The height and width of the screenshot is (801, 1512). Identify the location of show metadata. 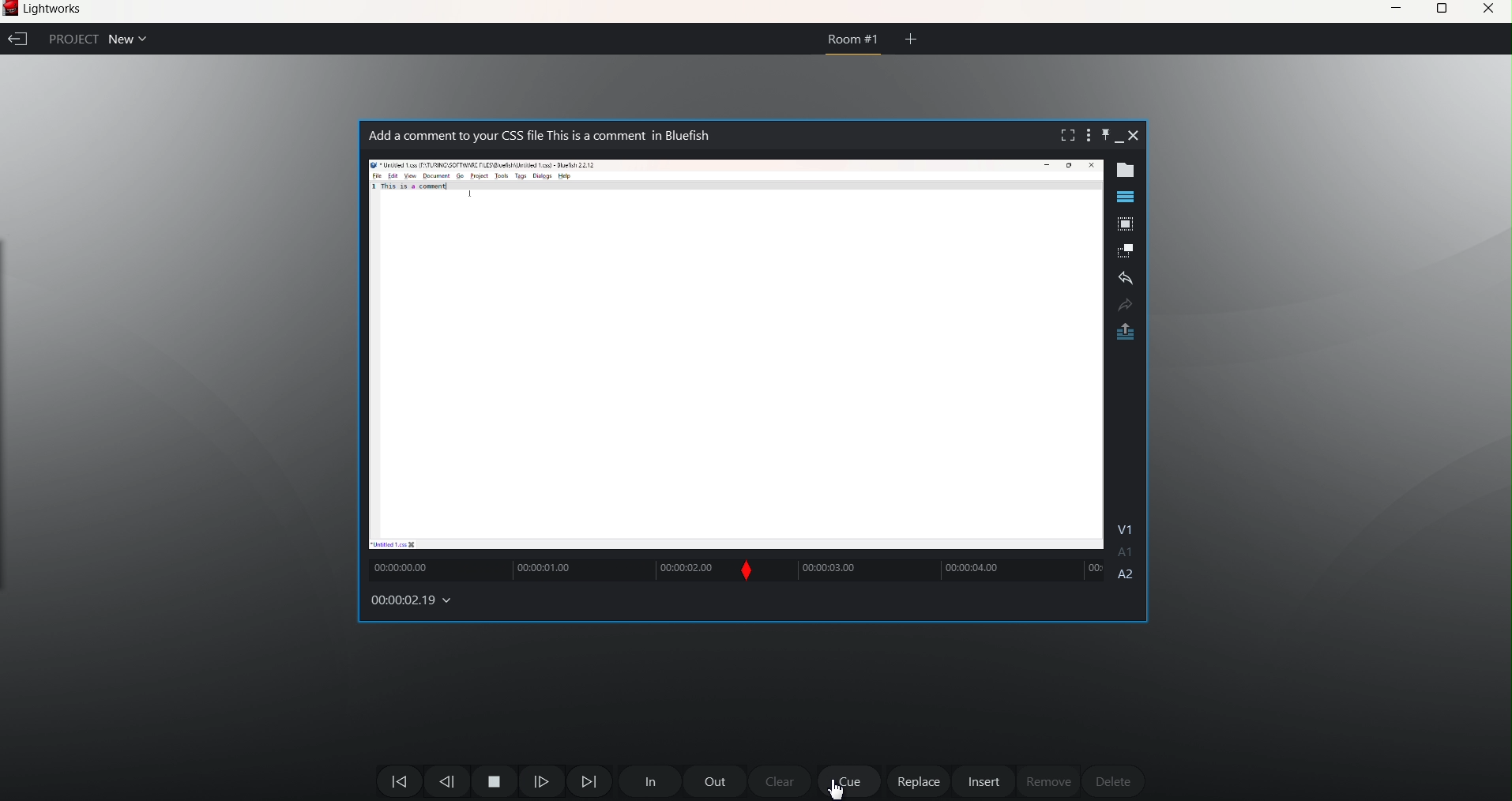
(1130, 171).